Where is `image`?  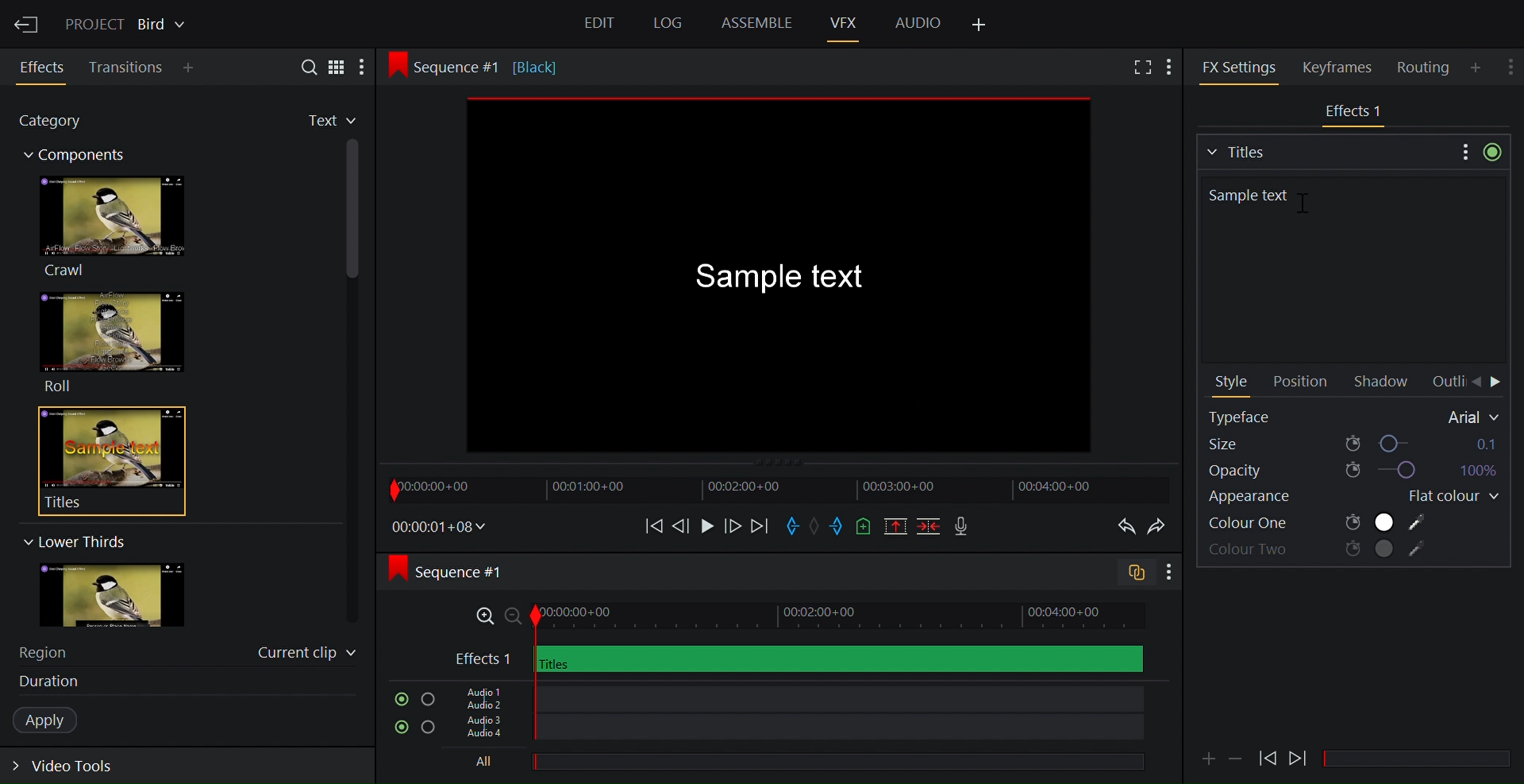 image is located at coordinates (128, 596).